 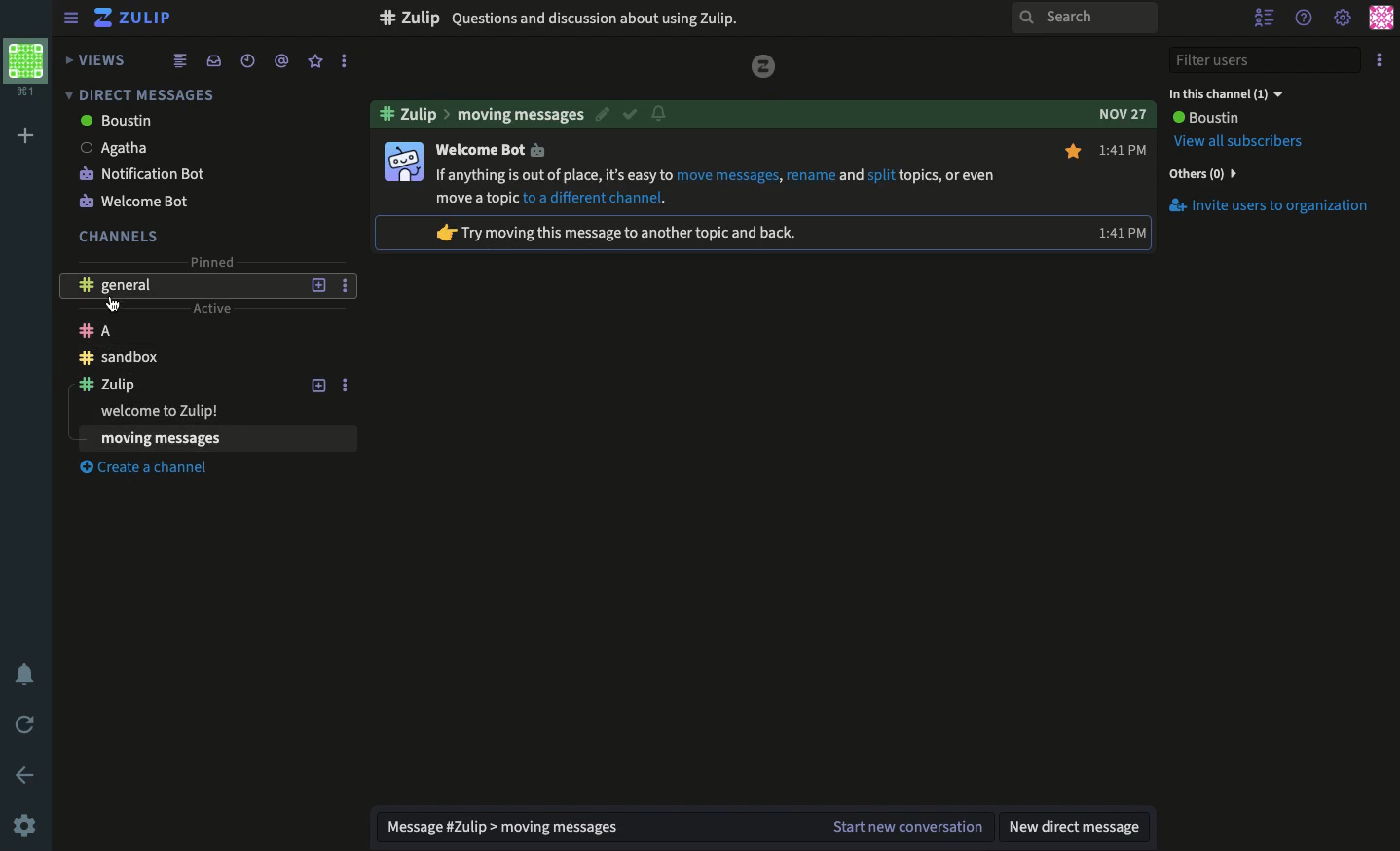 I want to click on Pinned, so click(x=210, y=259).